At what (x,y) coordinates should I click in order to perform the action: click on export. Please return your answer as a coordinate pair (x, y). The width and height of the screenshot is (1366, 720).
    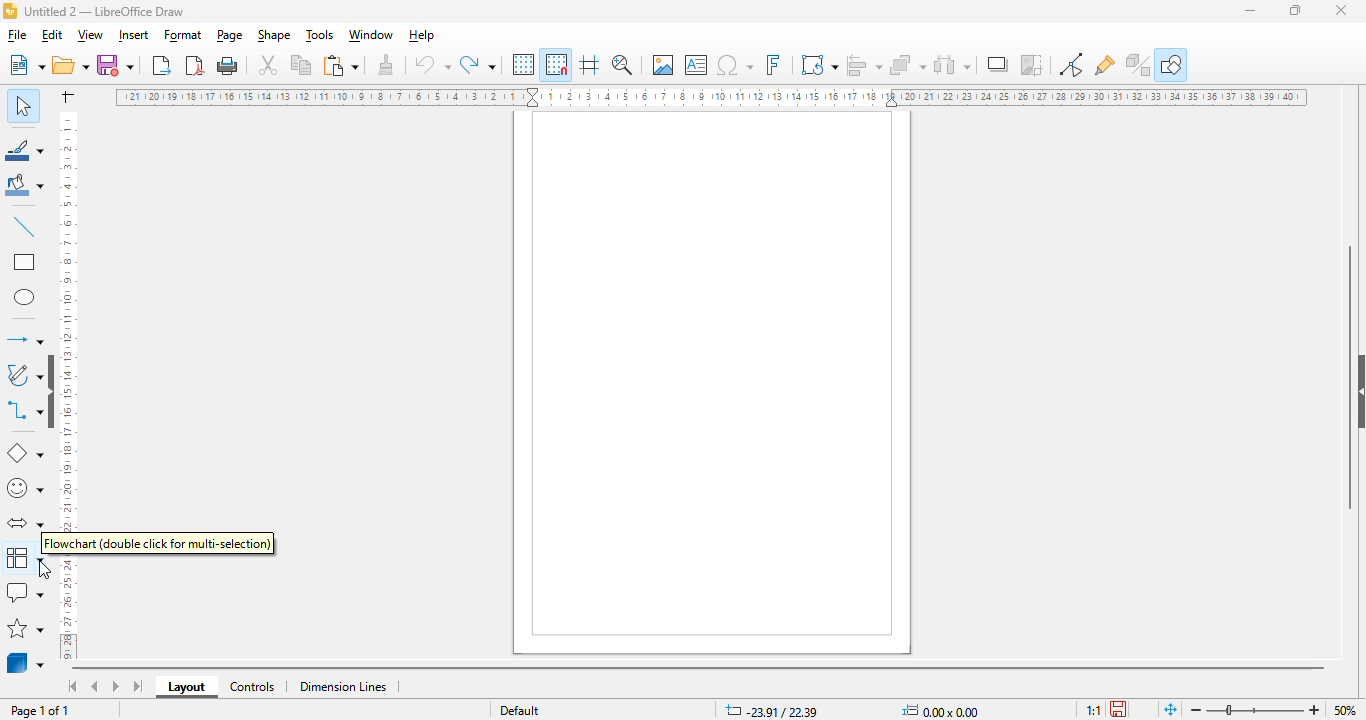
    Looking at the image, I should click on (162, 66).